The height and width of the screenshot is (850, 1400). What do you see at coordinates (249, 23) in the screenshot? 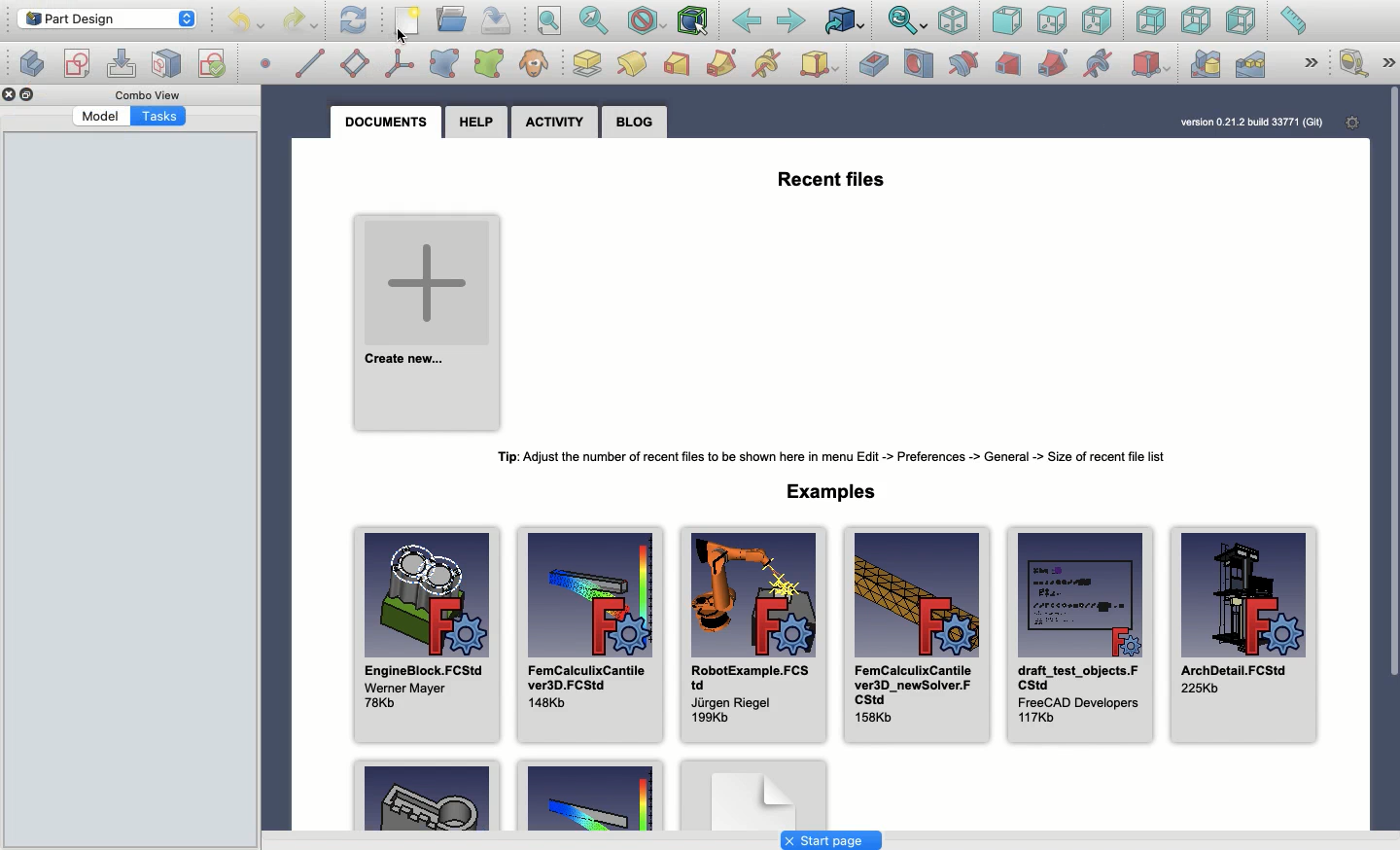
I see `Undo` at bounding box center [249, 23].